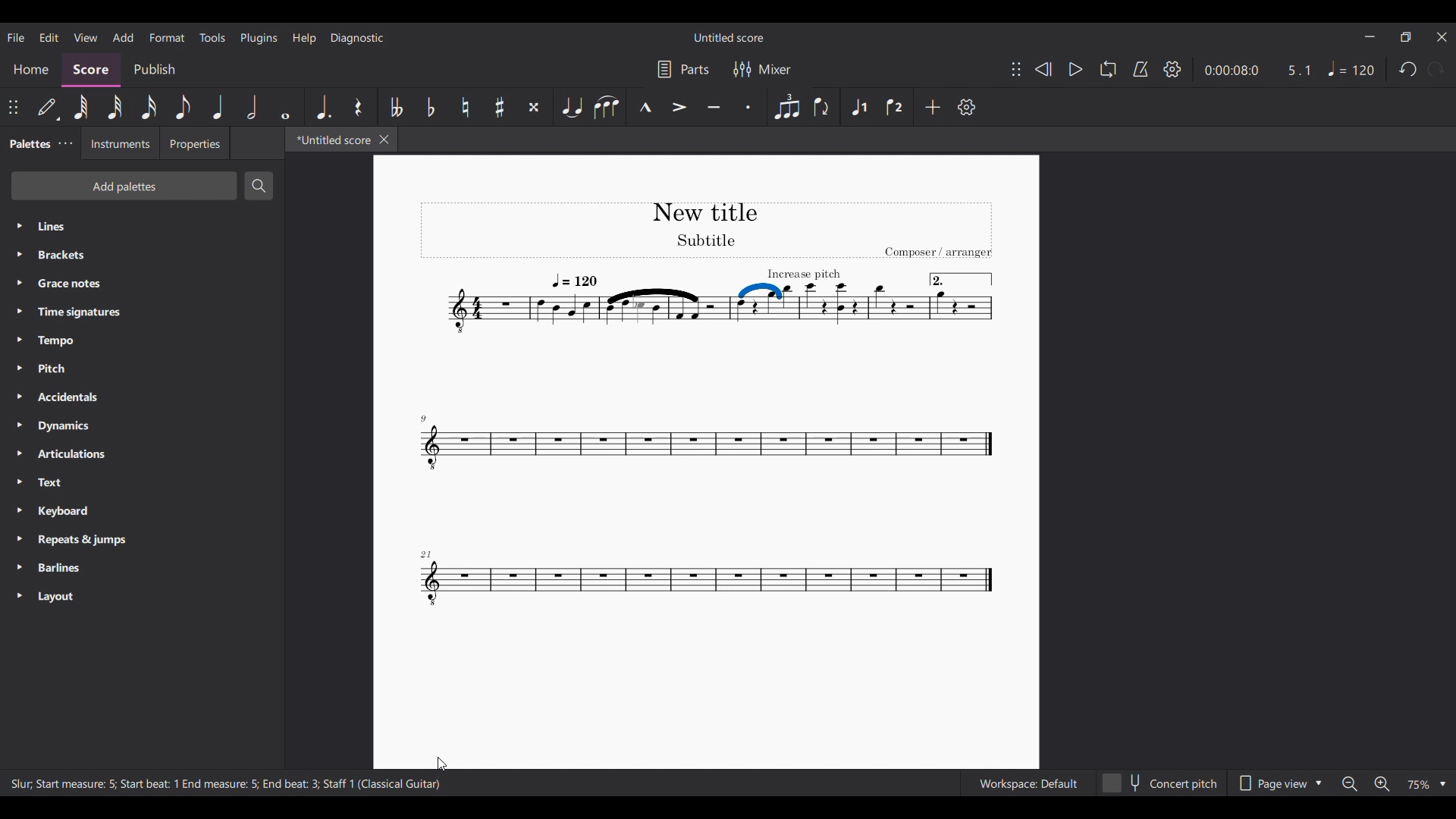 This screenshot has width=1456, height=819. Describe the element at coordinates (31, 70) in the screenshot. I see `Home section` at that location.